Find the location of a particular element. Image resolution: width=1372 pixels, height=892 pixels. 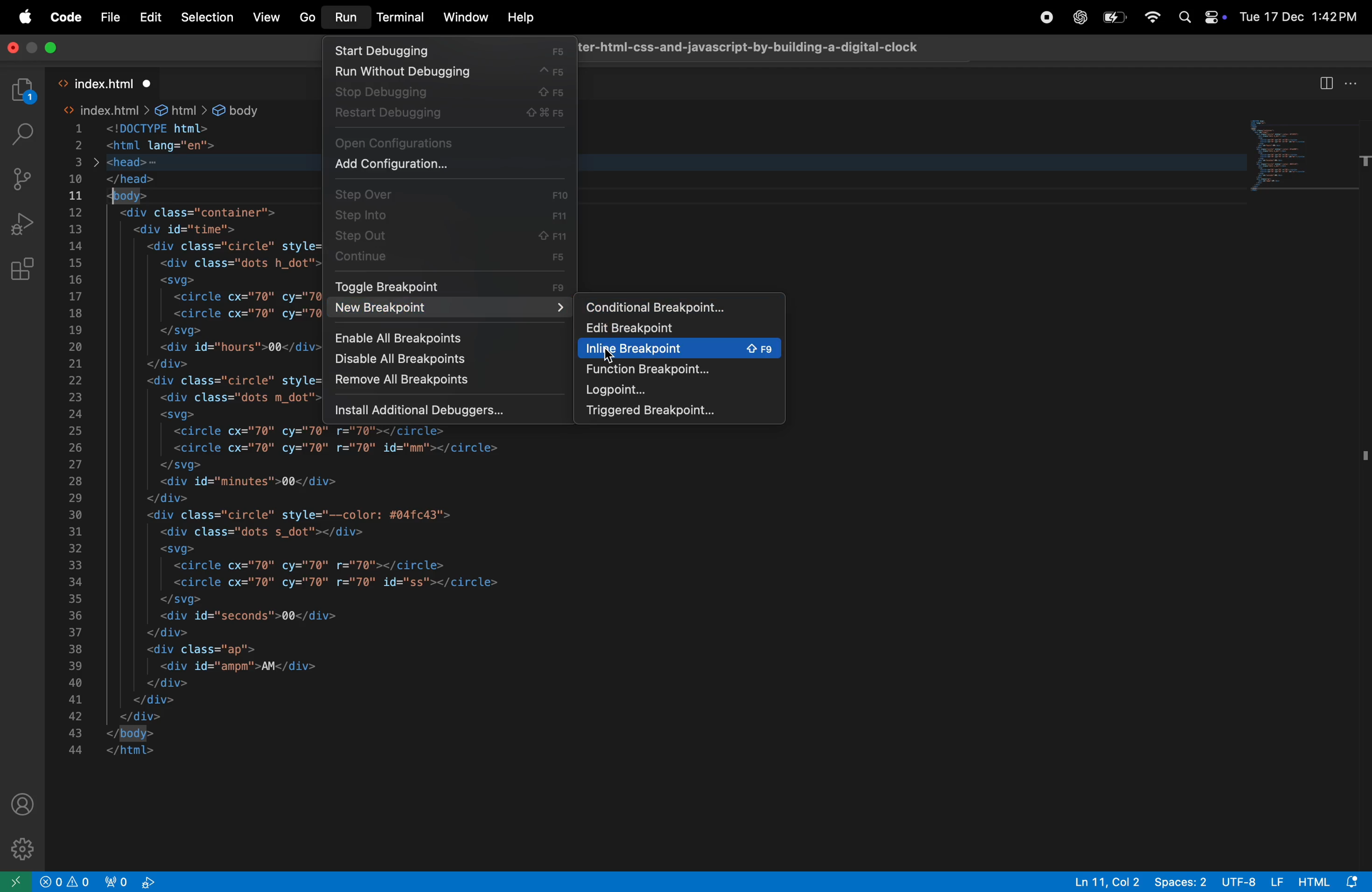

settings is located at coordinates (20, 847).